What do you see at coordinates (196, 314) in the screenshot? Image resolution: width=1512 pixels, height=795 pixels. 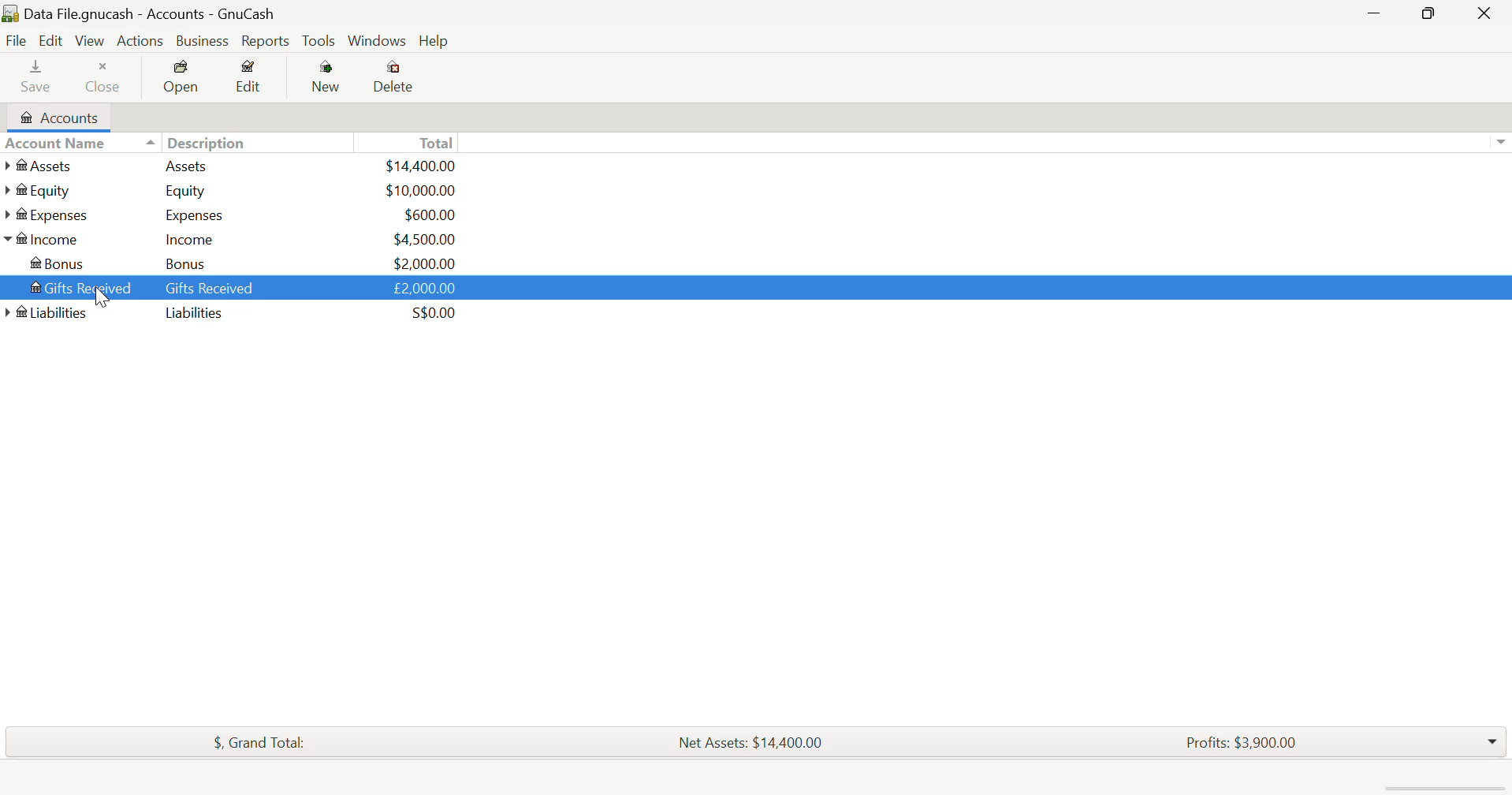 I see `Liabilities` at bounding box center [196, 314].